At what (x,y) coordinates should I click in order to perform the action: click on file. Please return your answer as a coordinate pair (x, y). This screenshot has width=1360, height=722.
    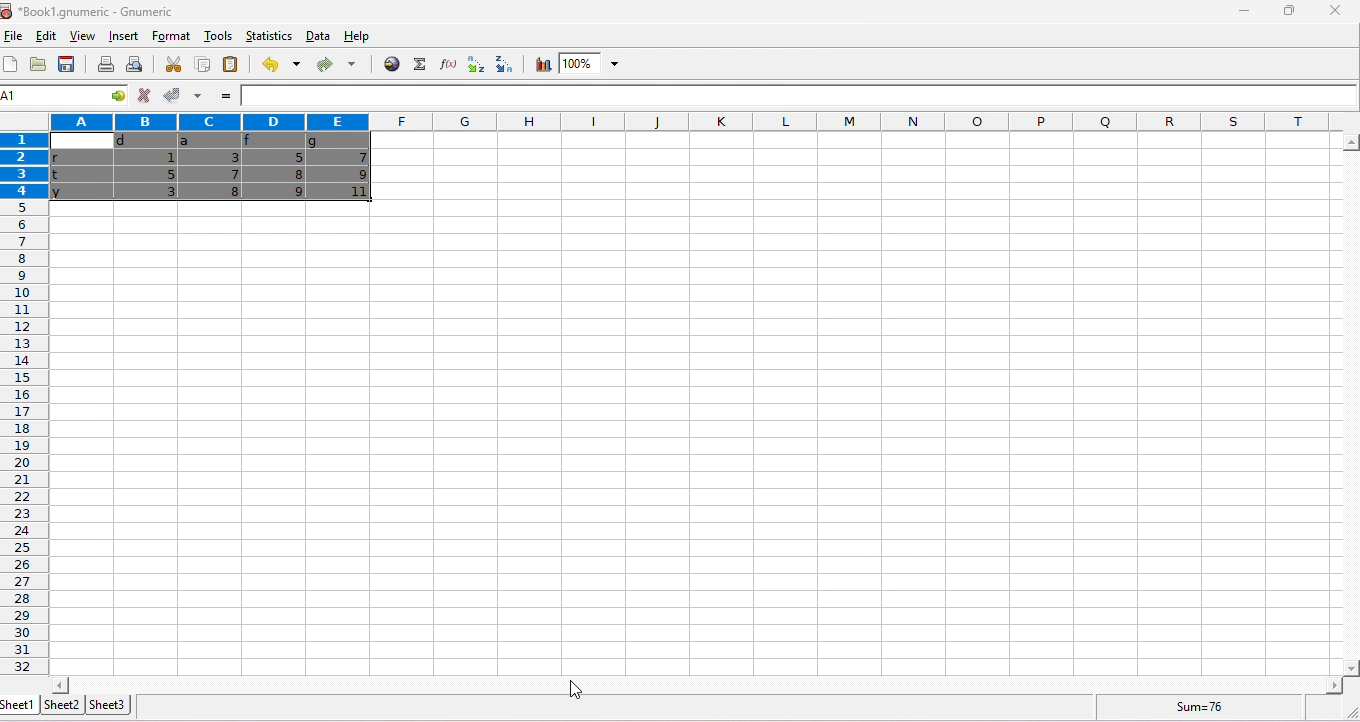
    Looking at the image, I should click on (14, 37).